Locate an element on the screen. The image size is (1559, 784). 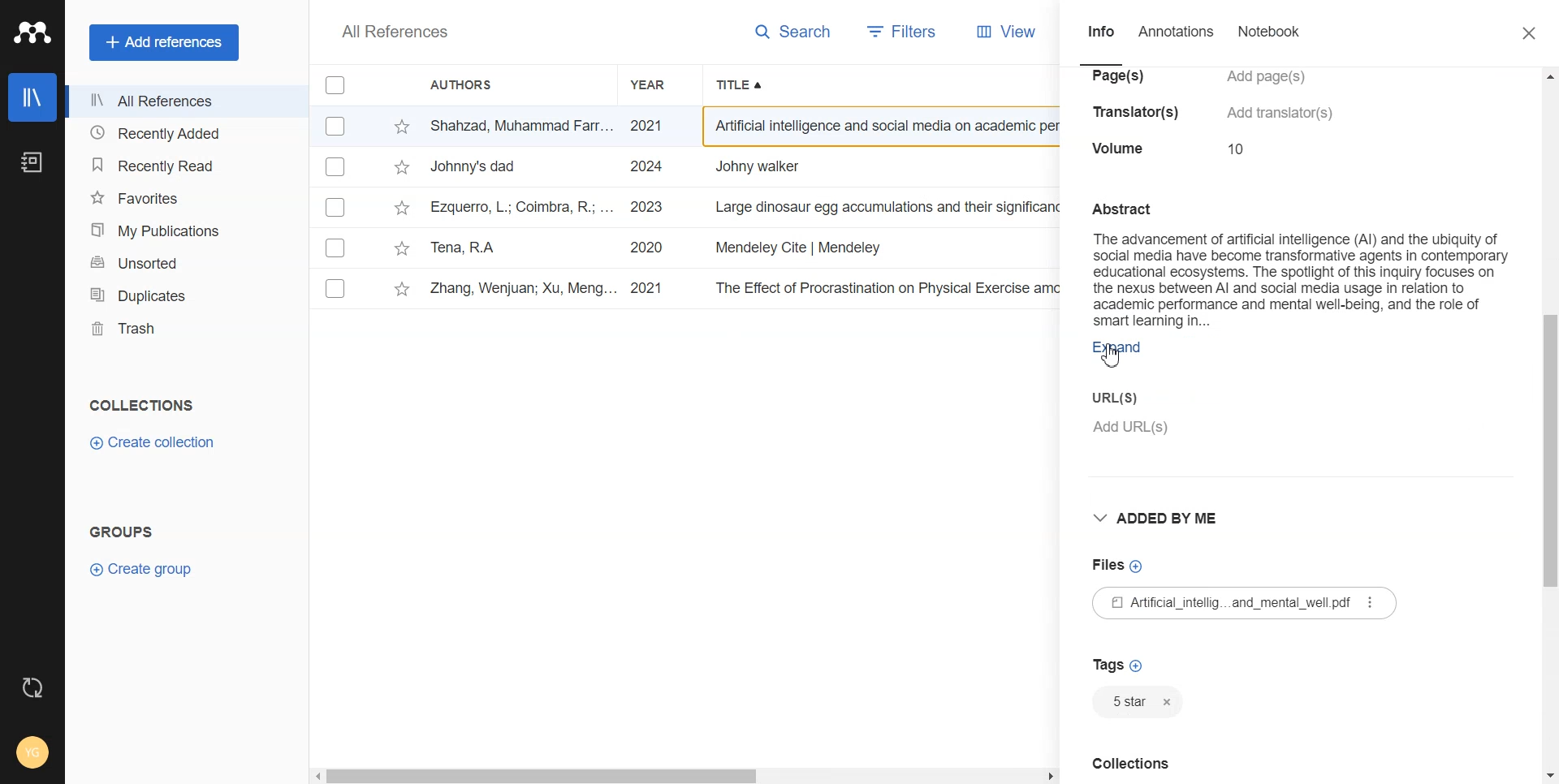
Checkmarks is located at coordinates (335, 209).